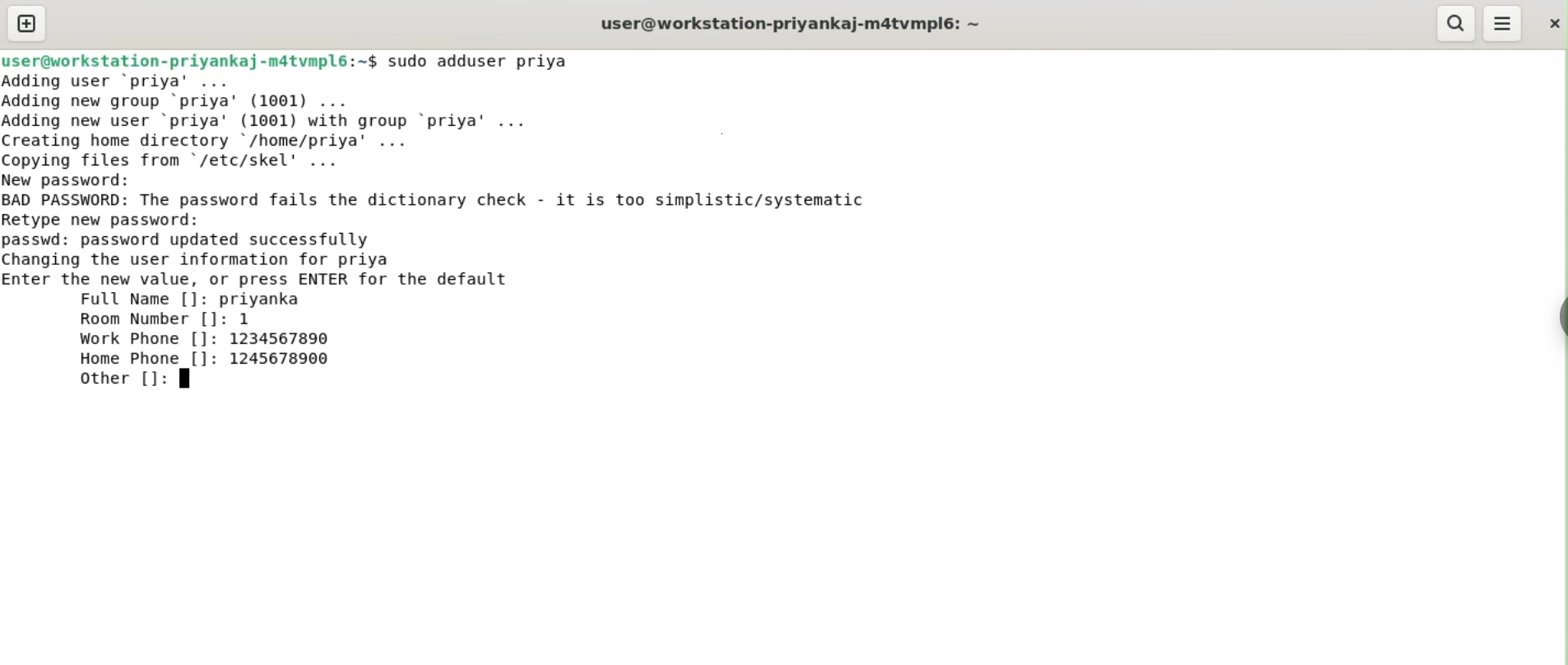 The image size is (1568, 665). Describe the element at coordinates (1560, 318) in the screenshot. I see `sidebar` at that location.